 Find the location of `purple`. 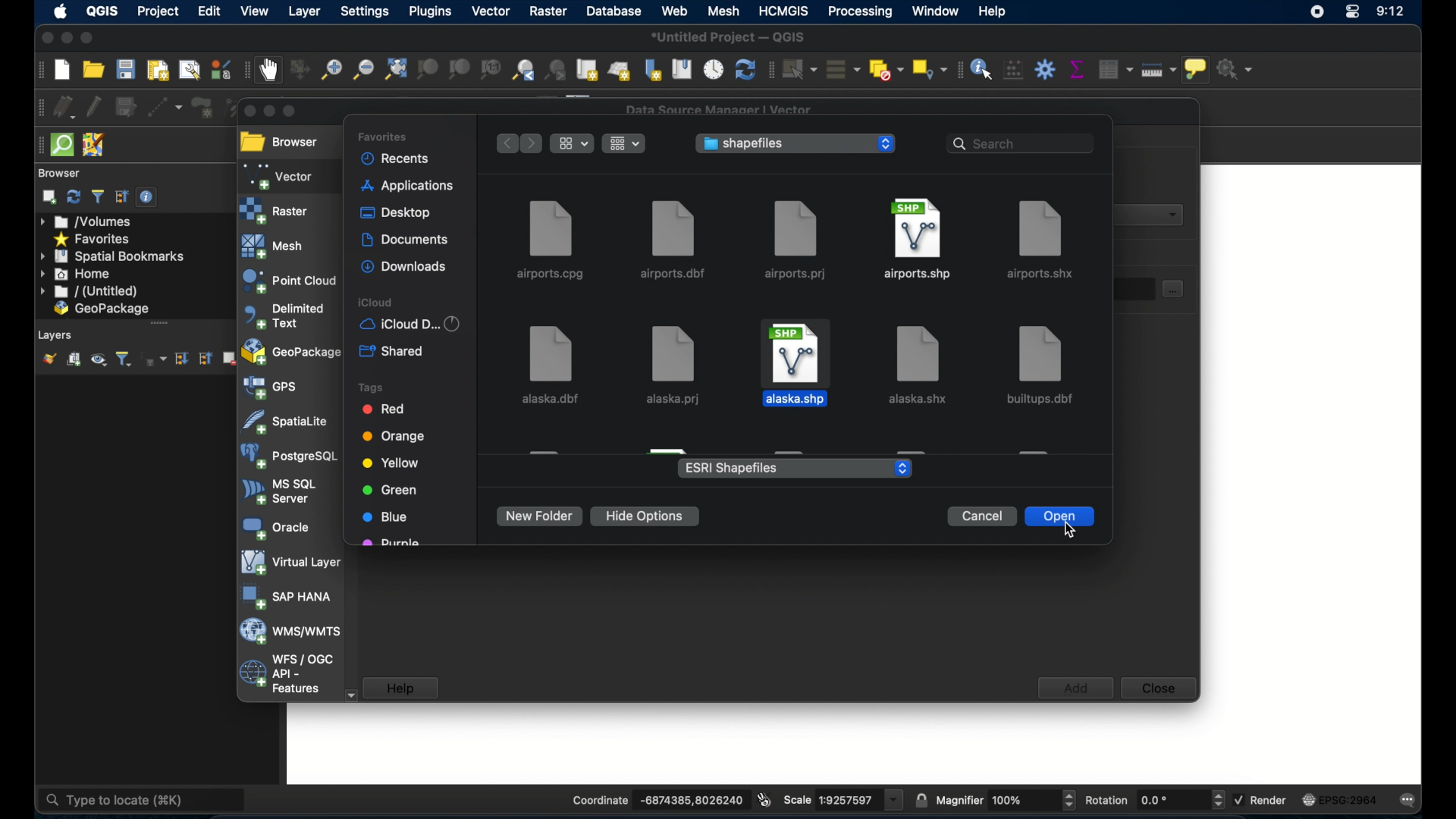

purple is located at coordinates (389, 542).